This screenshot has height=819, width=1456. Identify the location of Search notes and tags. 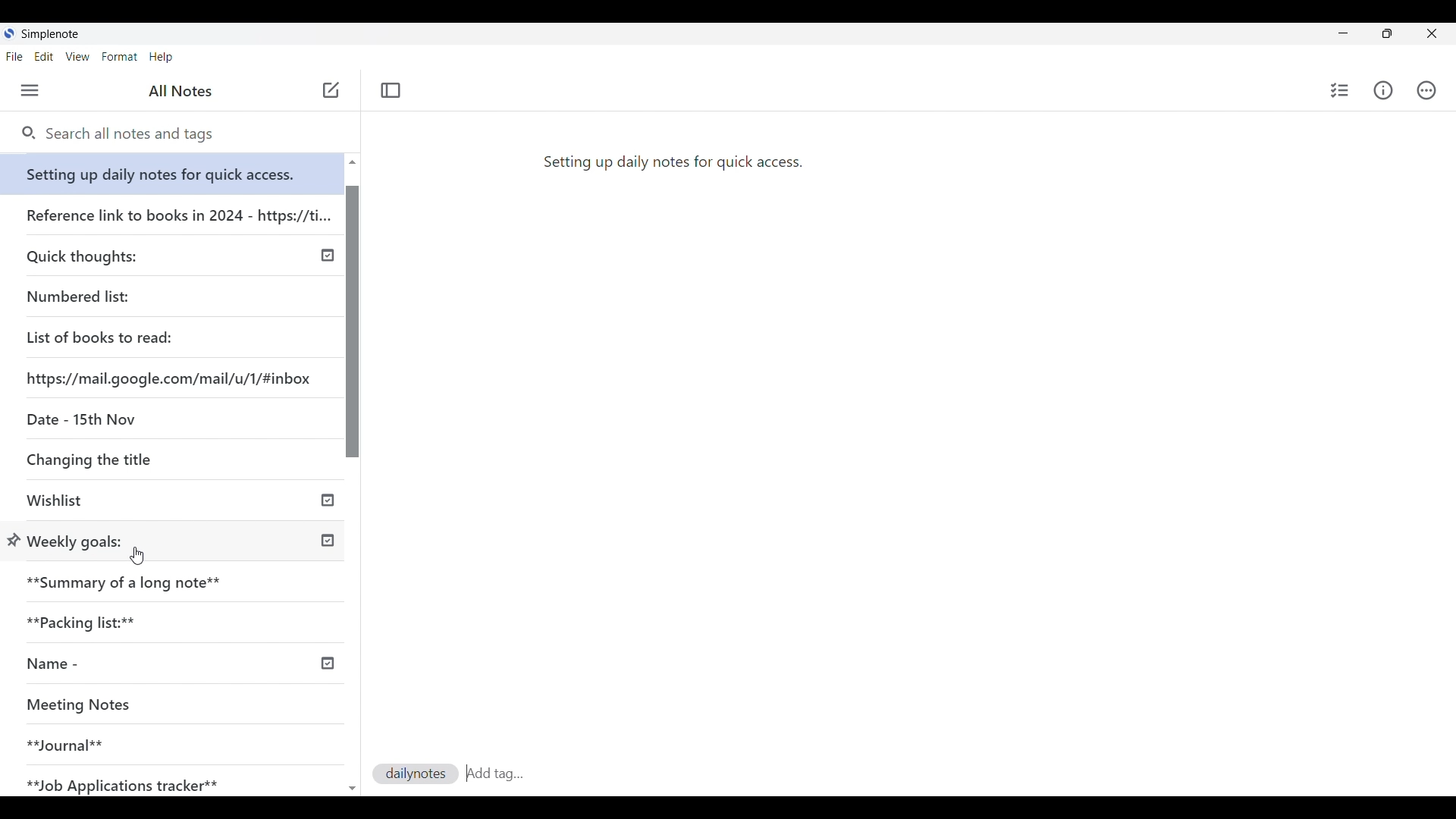
(136, 134).